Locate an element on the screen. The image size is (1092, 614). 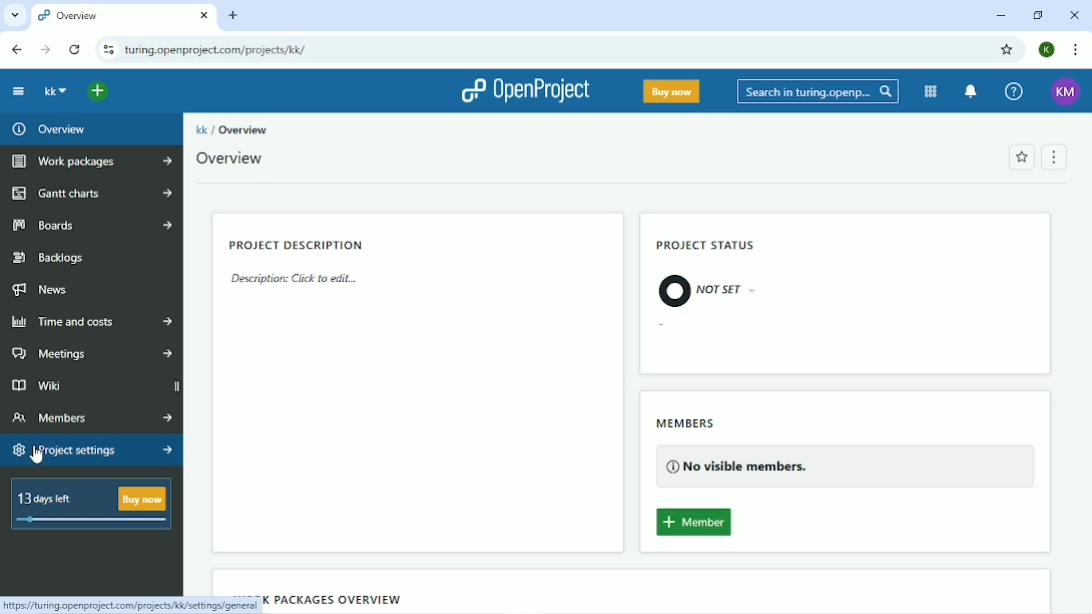
13 days left Buy now is located at coordinates (88, 508).